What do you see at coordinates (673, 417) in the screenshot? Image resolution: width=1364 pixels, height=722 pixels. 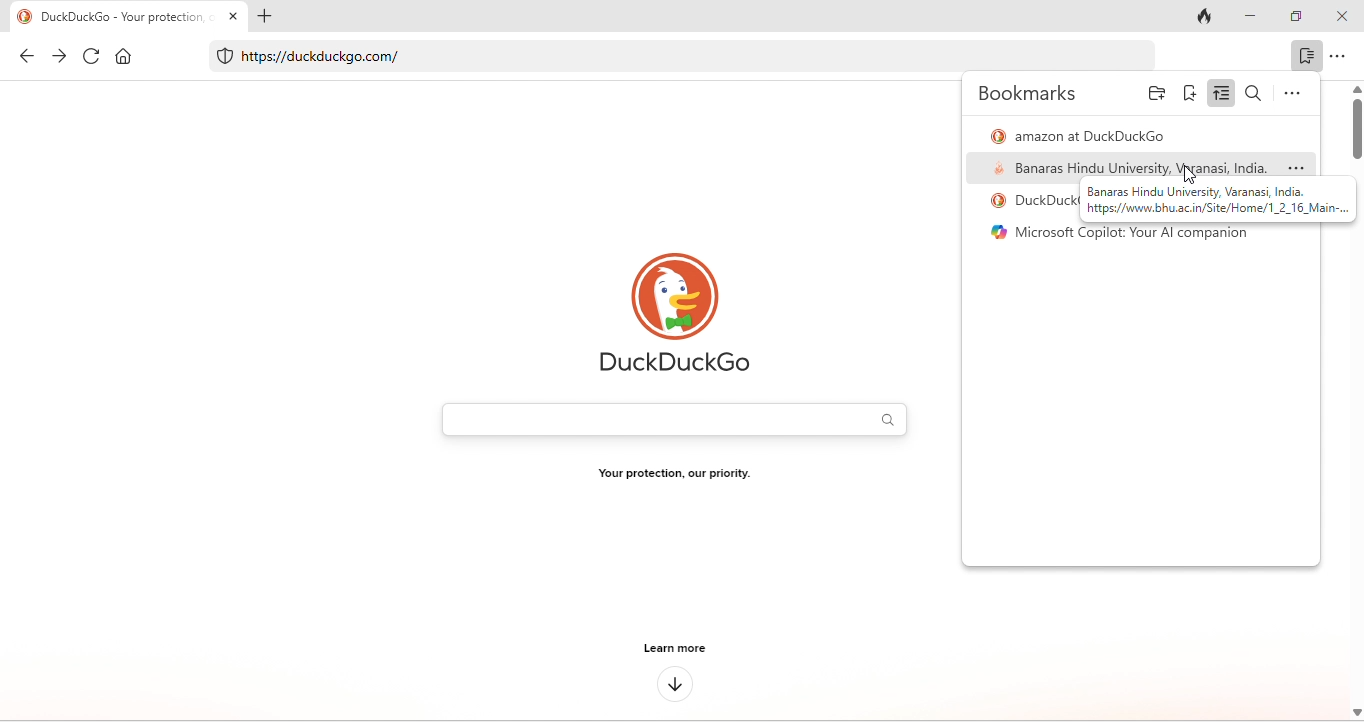 I see `search bar` at bounding box center [673, 417].